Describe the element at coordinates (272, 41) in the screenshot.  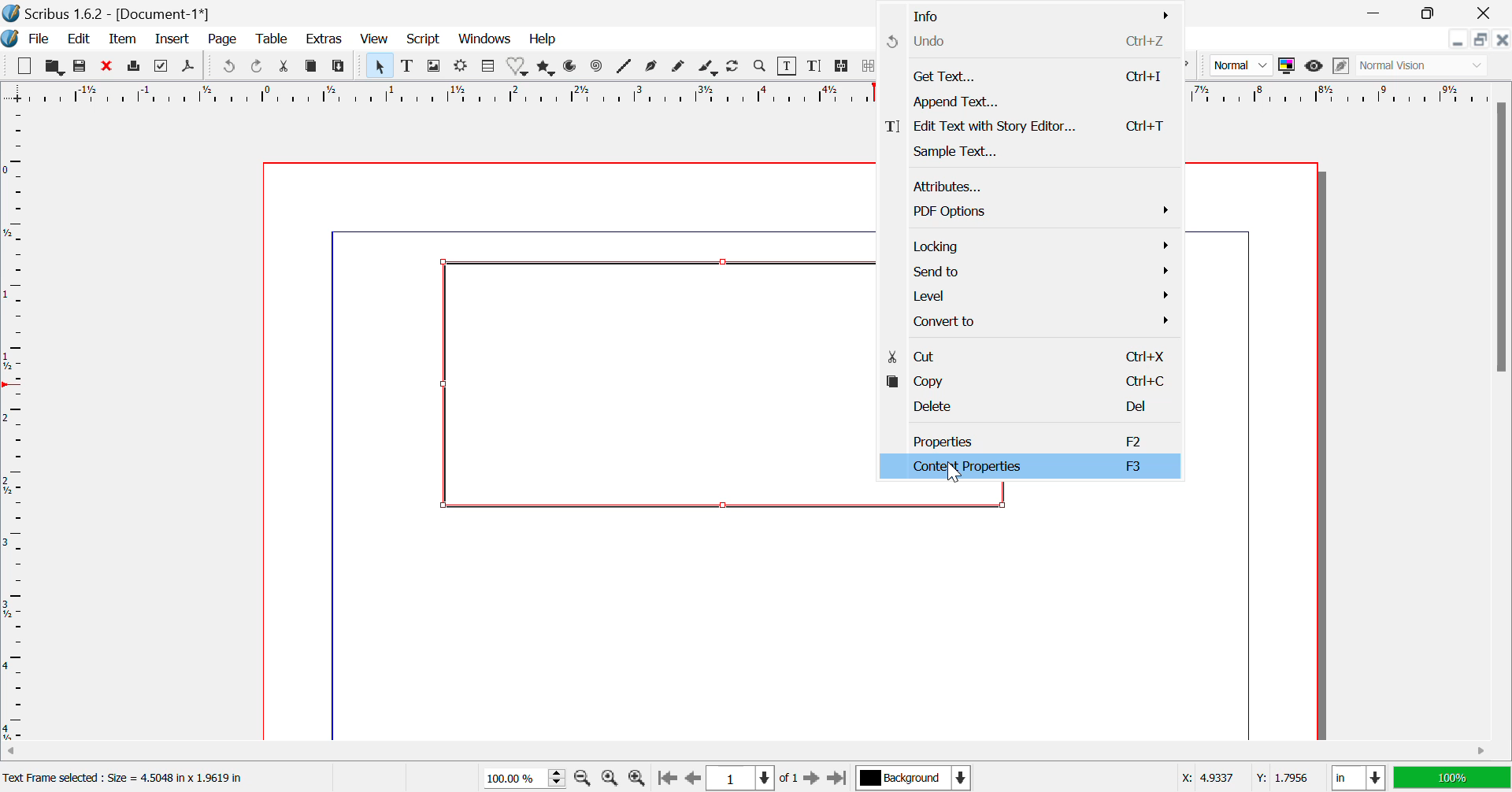
I see `Table` at that location.